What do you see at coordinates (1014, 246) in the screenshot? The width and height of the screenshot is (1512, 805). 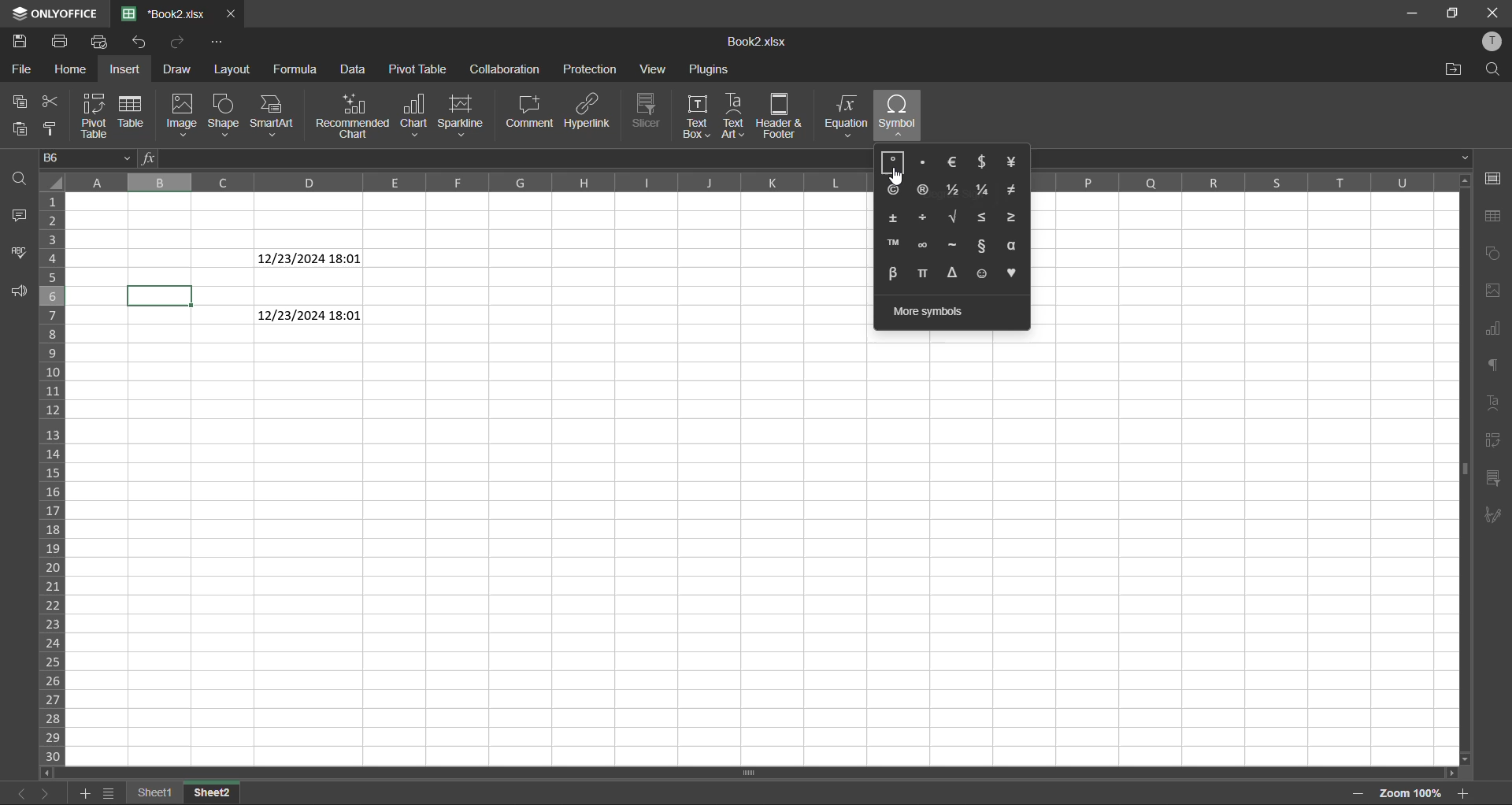 I see `greek small letter alpha` at bounding box center [1014, 246].